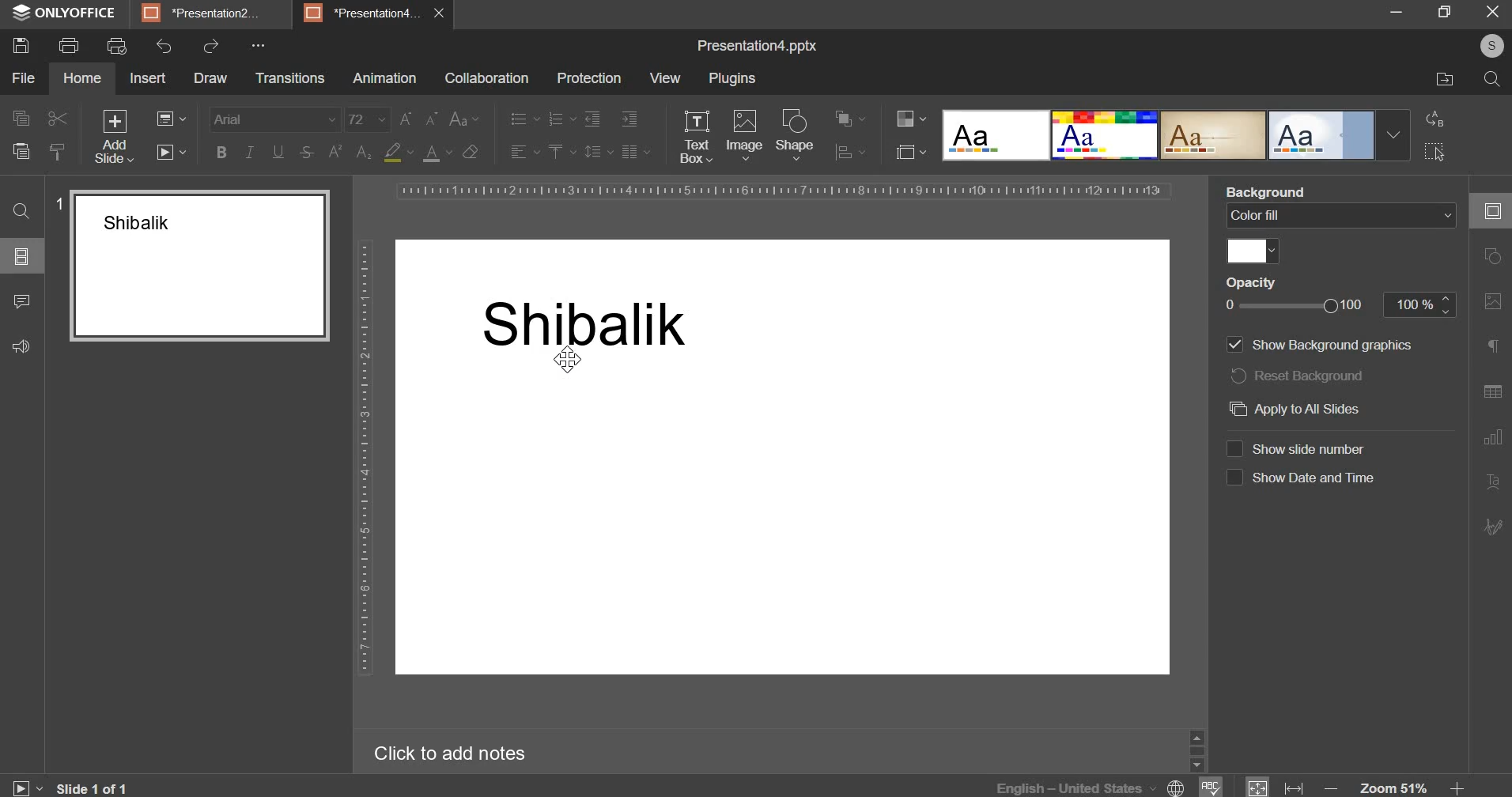 The width and height of the screenshot is (1512, 797). I want to click on background , so click(1331, 192).